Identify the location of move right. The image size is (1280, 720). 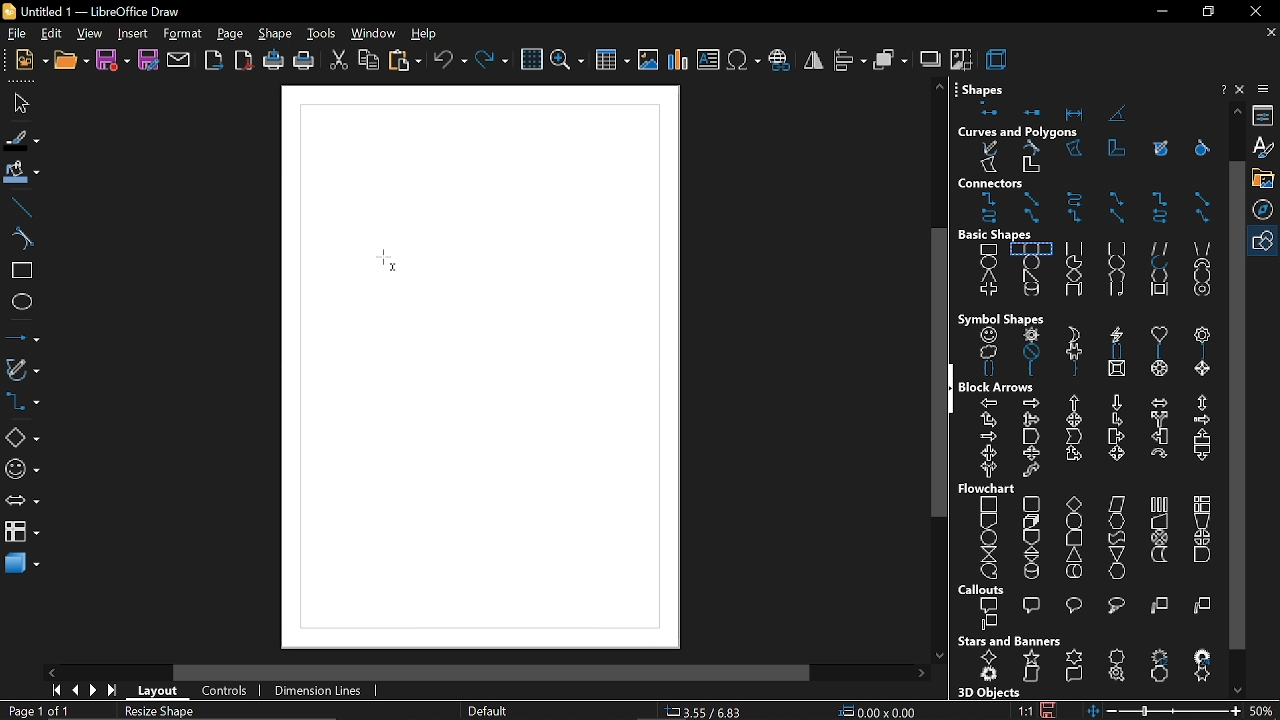
(921, 674).